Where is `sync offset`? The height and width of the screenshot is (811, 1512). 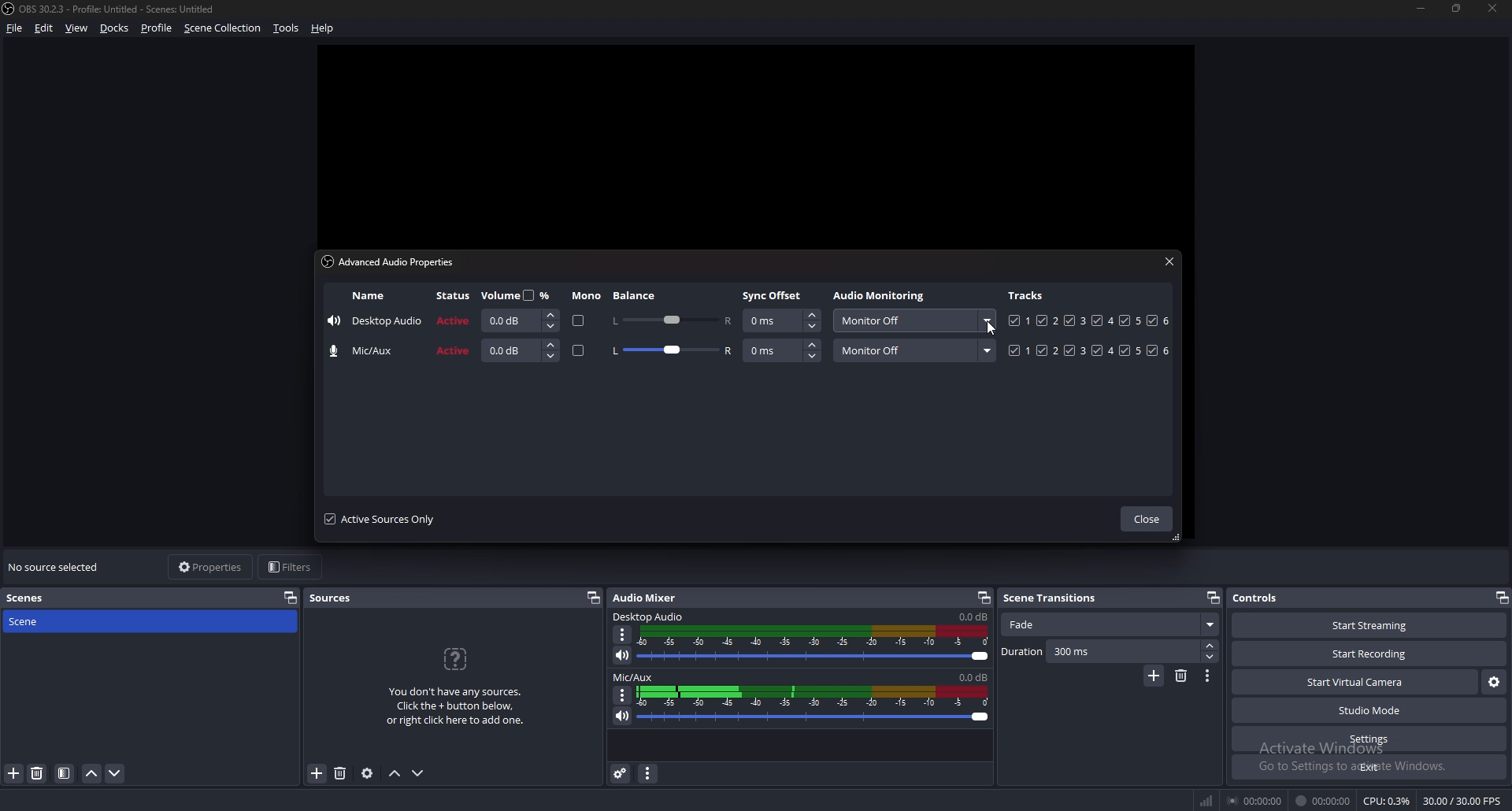
sync offset is located at coordinates (774, 295).